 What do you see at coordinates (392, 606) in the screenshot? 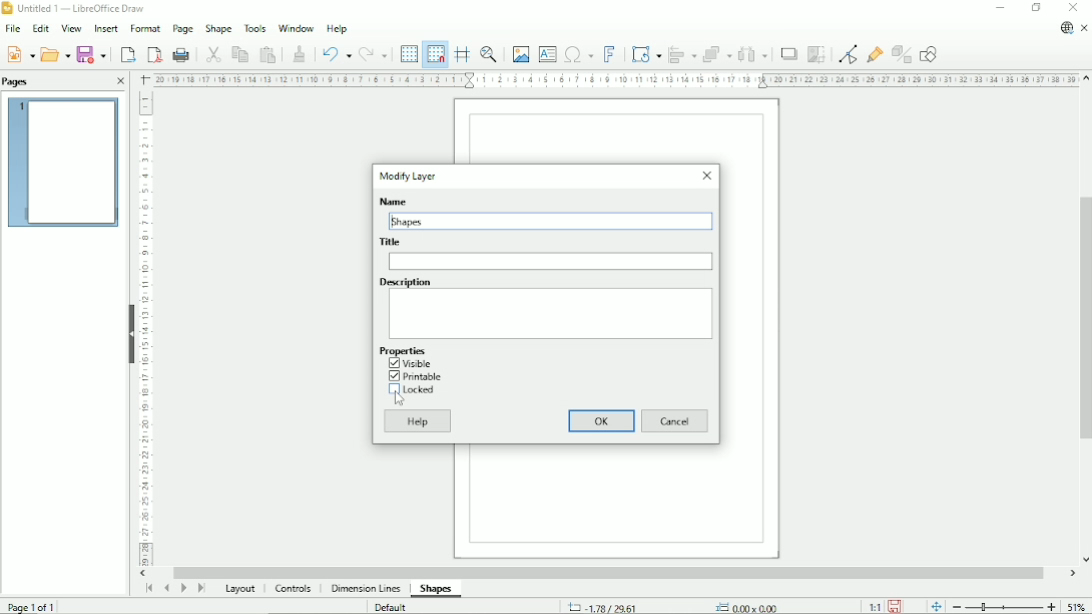
I see `Default` at bounding box center [392, 606].